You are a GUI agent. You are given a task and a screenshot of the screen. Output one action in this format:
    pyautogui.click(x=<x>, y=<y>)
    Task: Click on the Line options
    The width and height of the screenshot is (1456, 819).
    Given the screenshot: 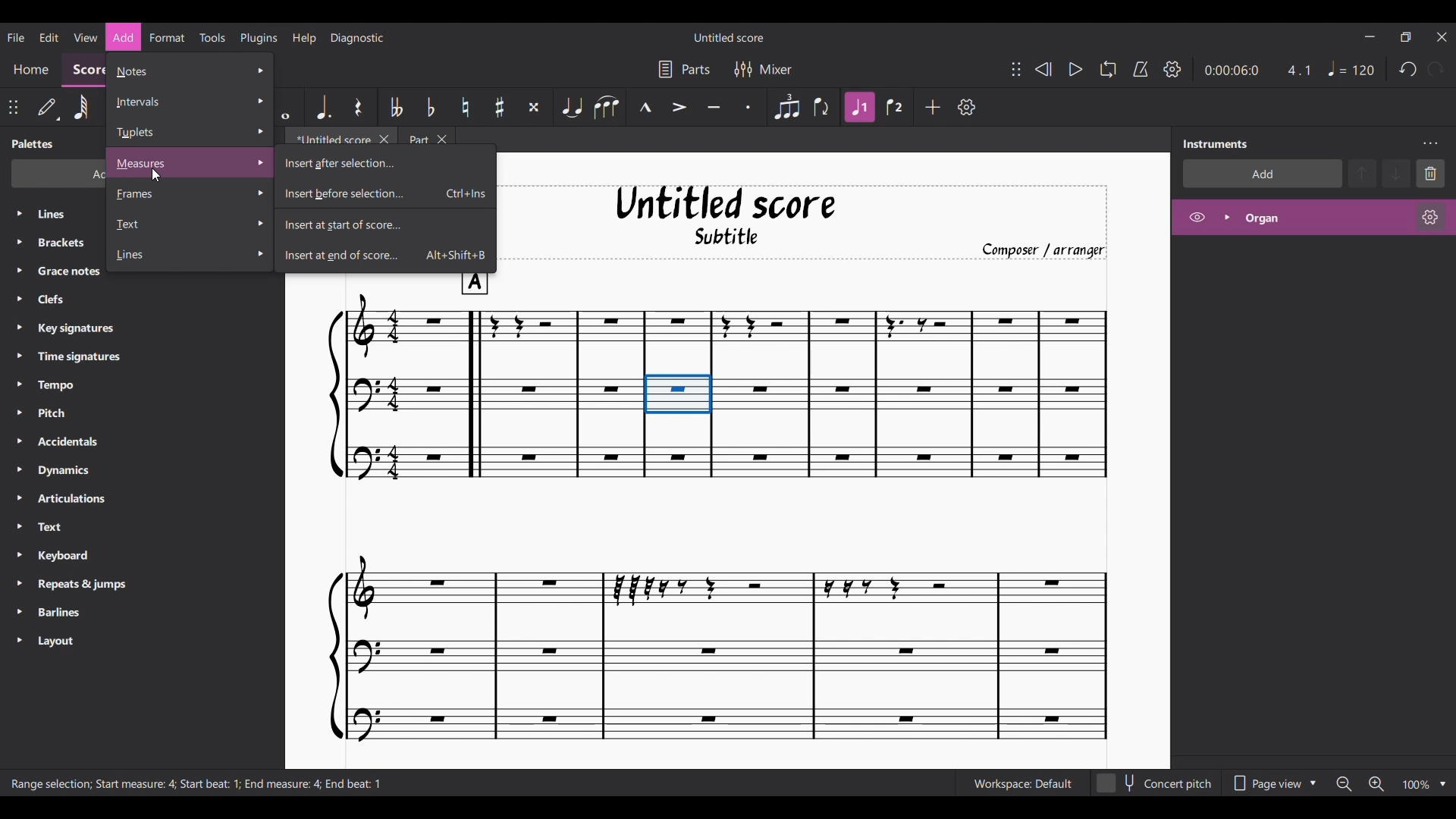 What is the action you would take?
    pyautogui.click(x=190, y=256)
    